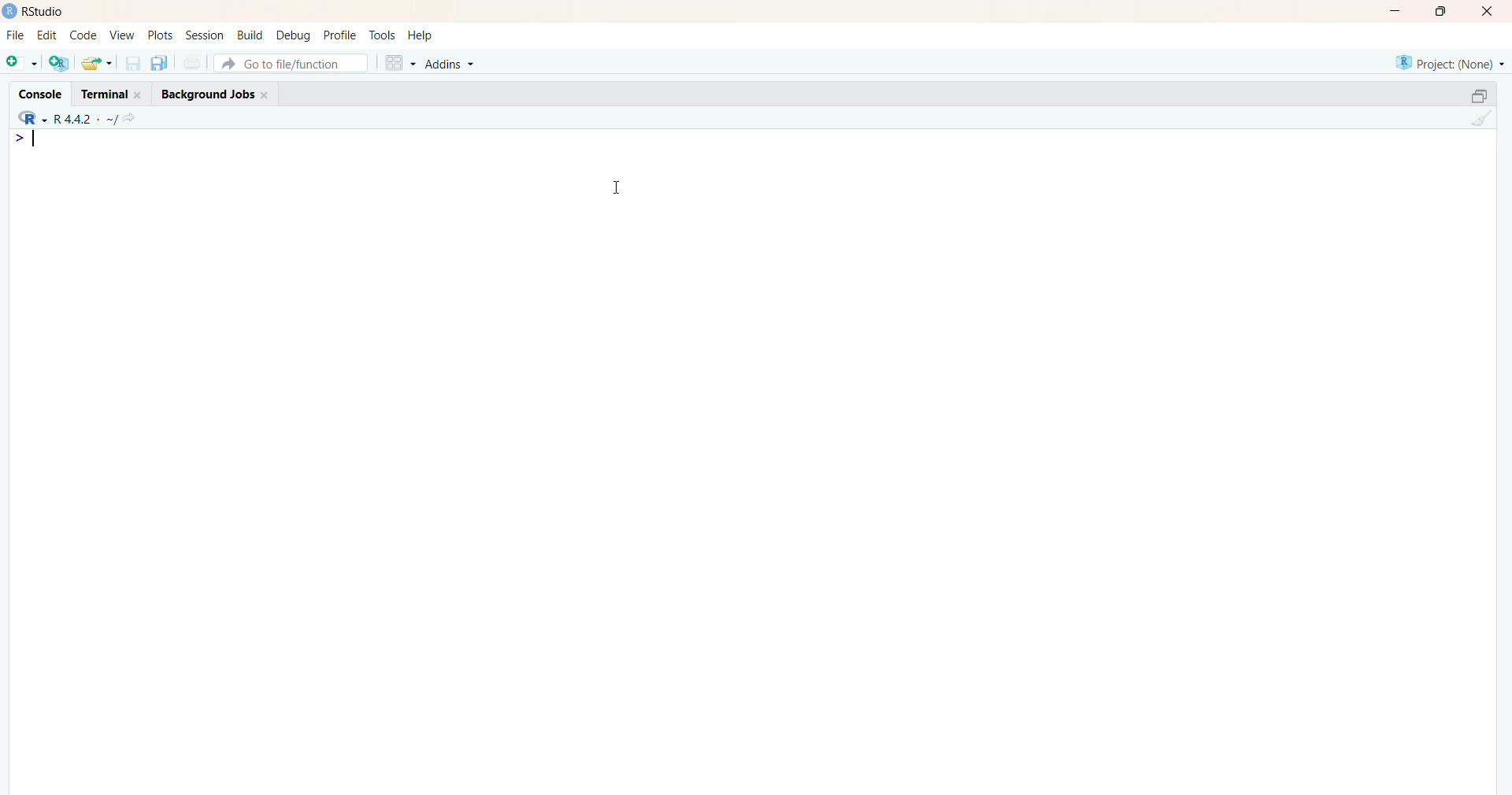 The image size is (1512, 795). What do you see at coordinates (158, 34) in the screenshot?
I see `plots` at bounding box center [158, 34].